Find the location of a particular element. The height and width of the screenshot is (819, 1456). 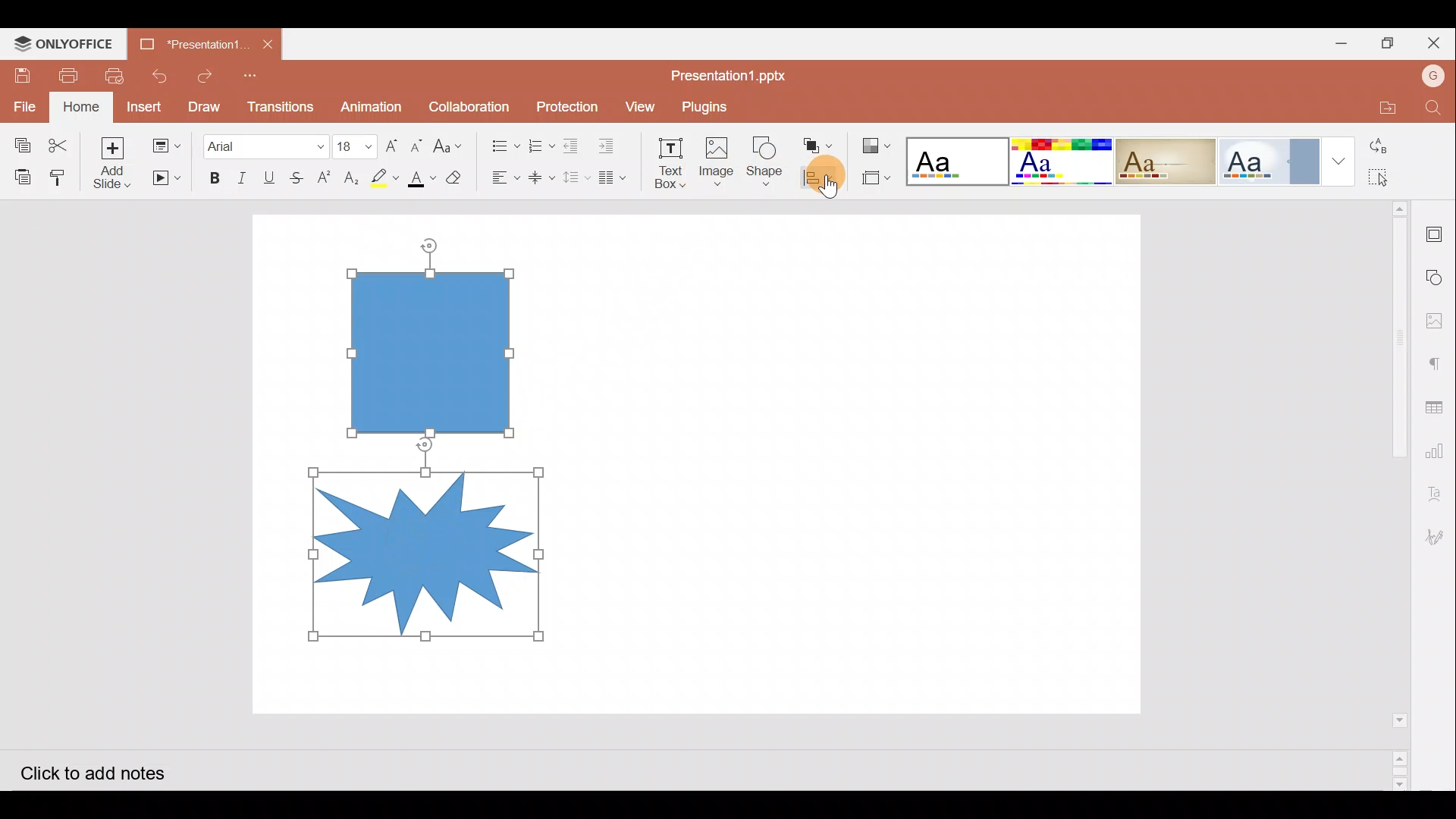

Superscript is located at coordinates (323, 178).